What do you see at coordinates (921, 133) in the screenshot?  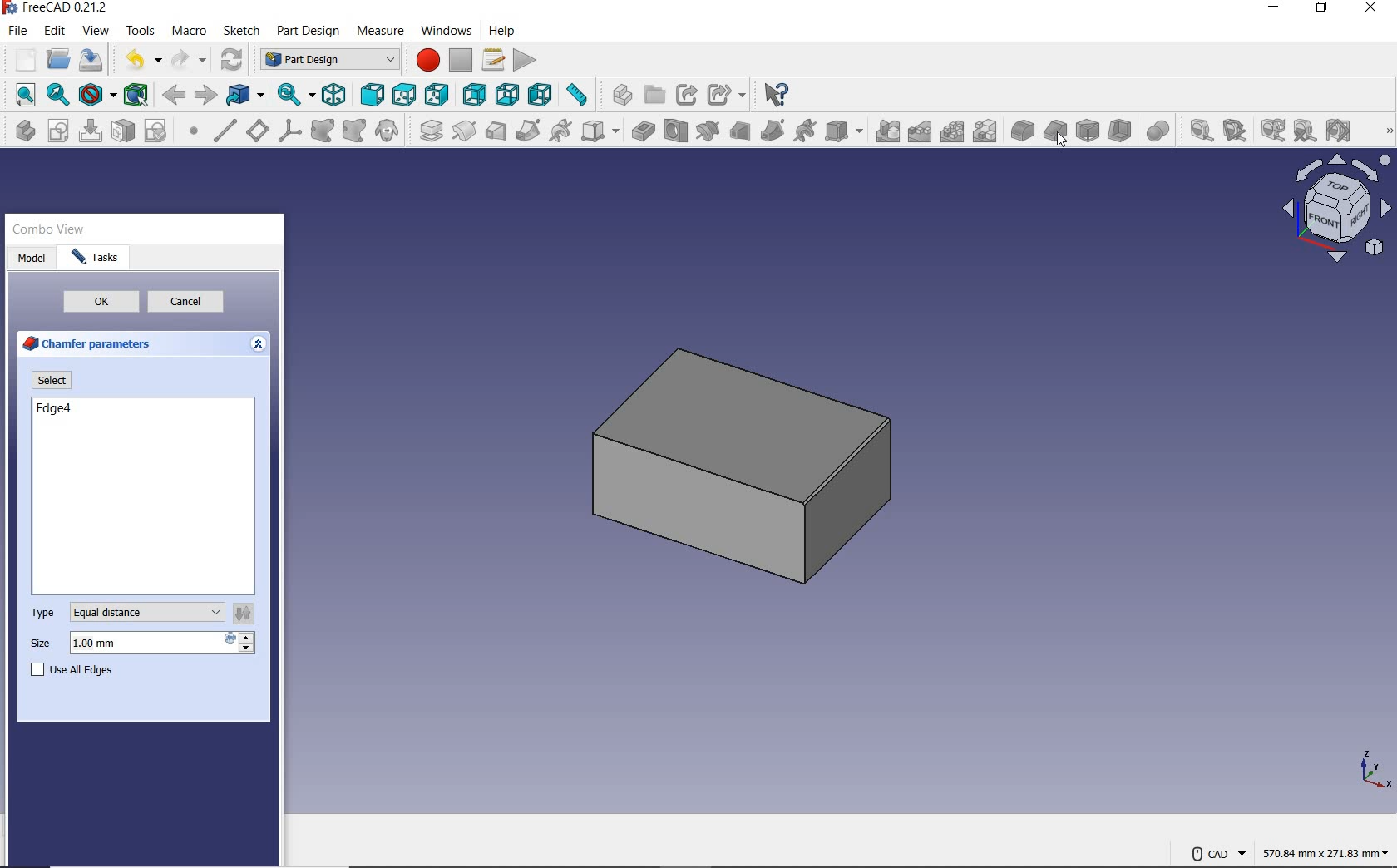 I see `linear pattern` at bounding box center [921, 133].